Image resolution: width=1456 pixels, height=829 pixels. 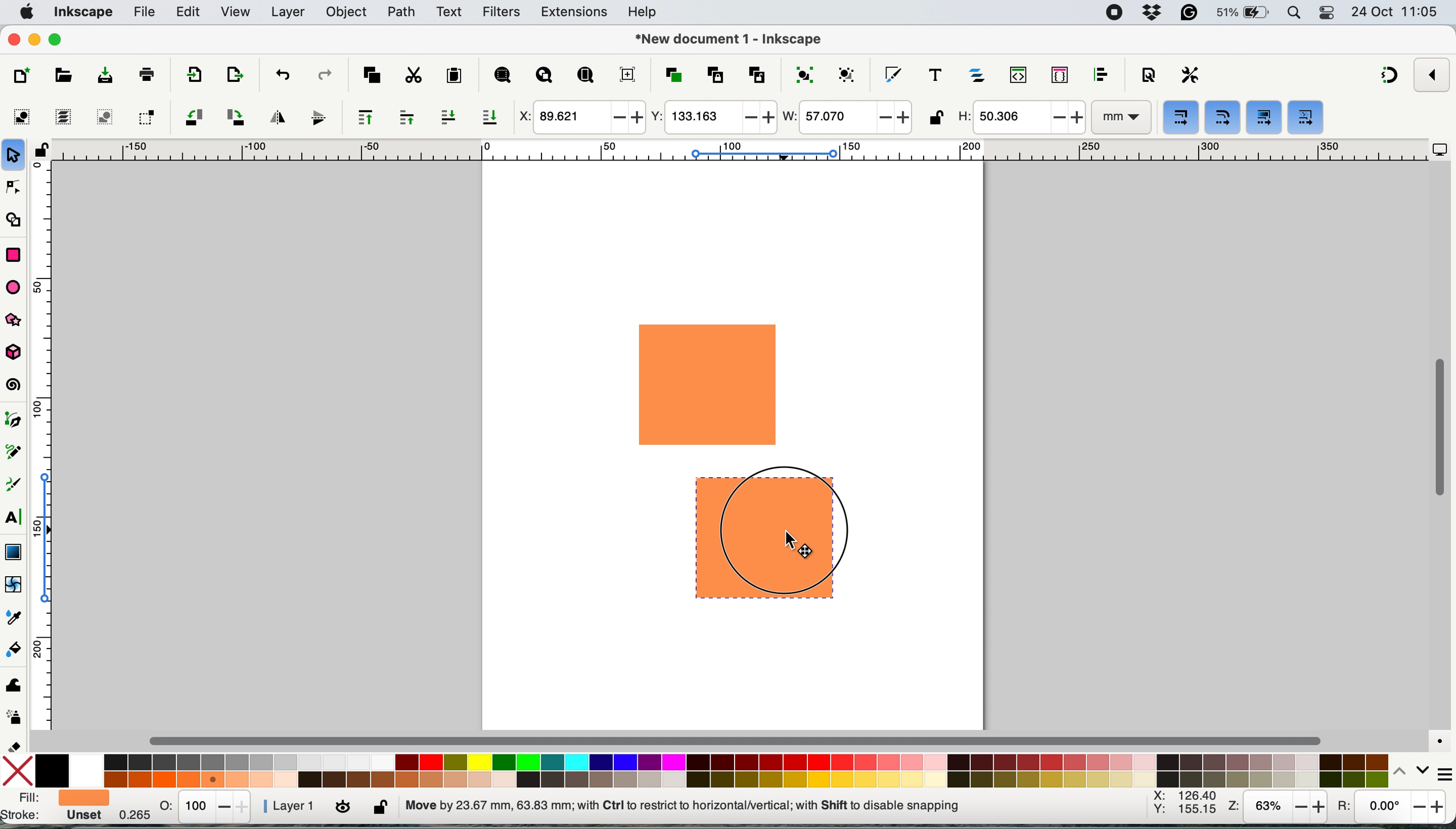 I want to click on text tool, so click(x=14, y=518).